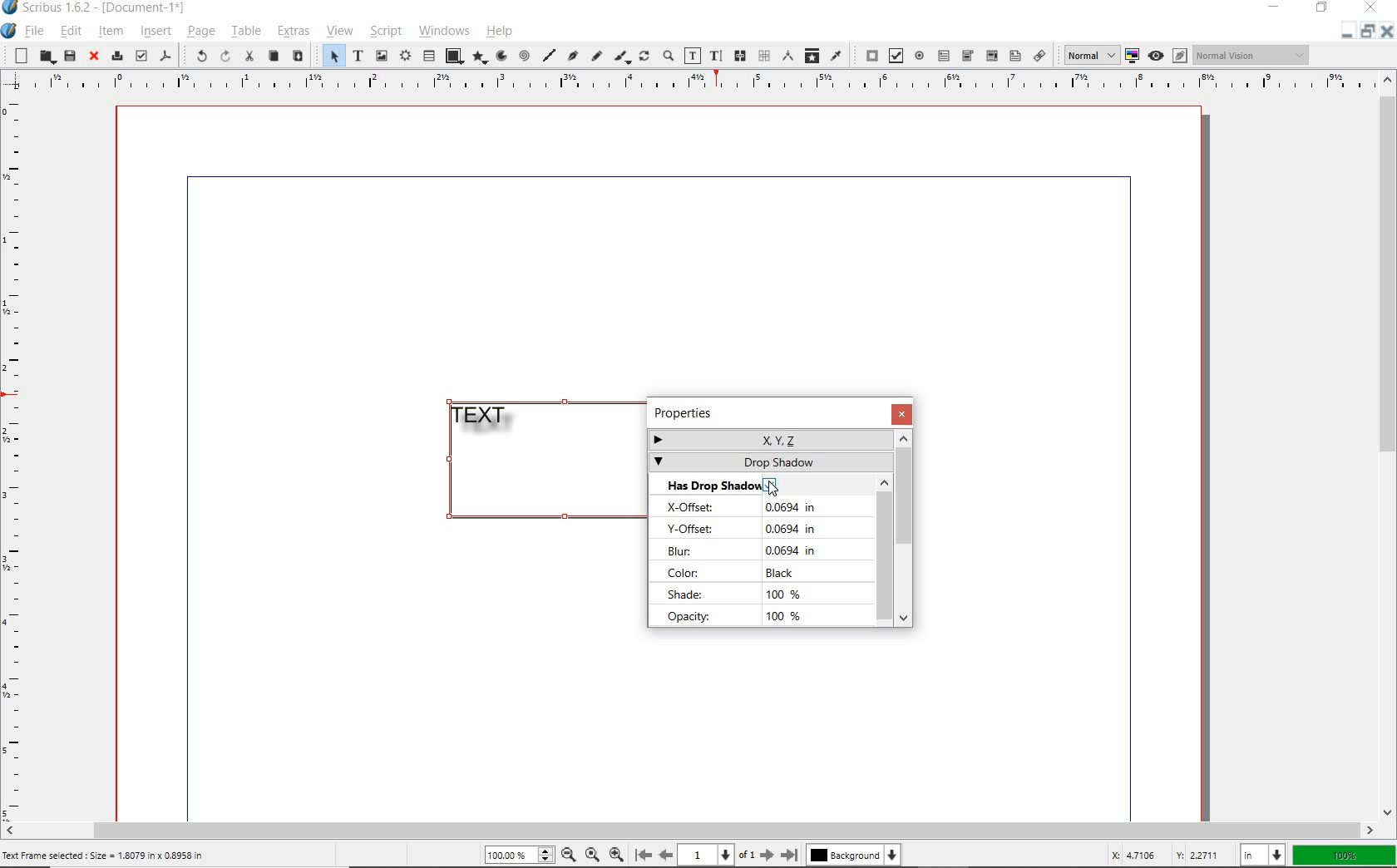  What do you see at coordinates (1263, 856) in the screenshot?
I see `select unit: in` at bounding box center [1263, 856].